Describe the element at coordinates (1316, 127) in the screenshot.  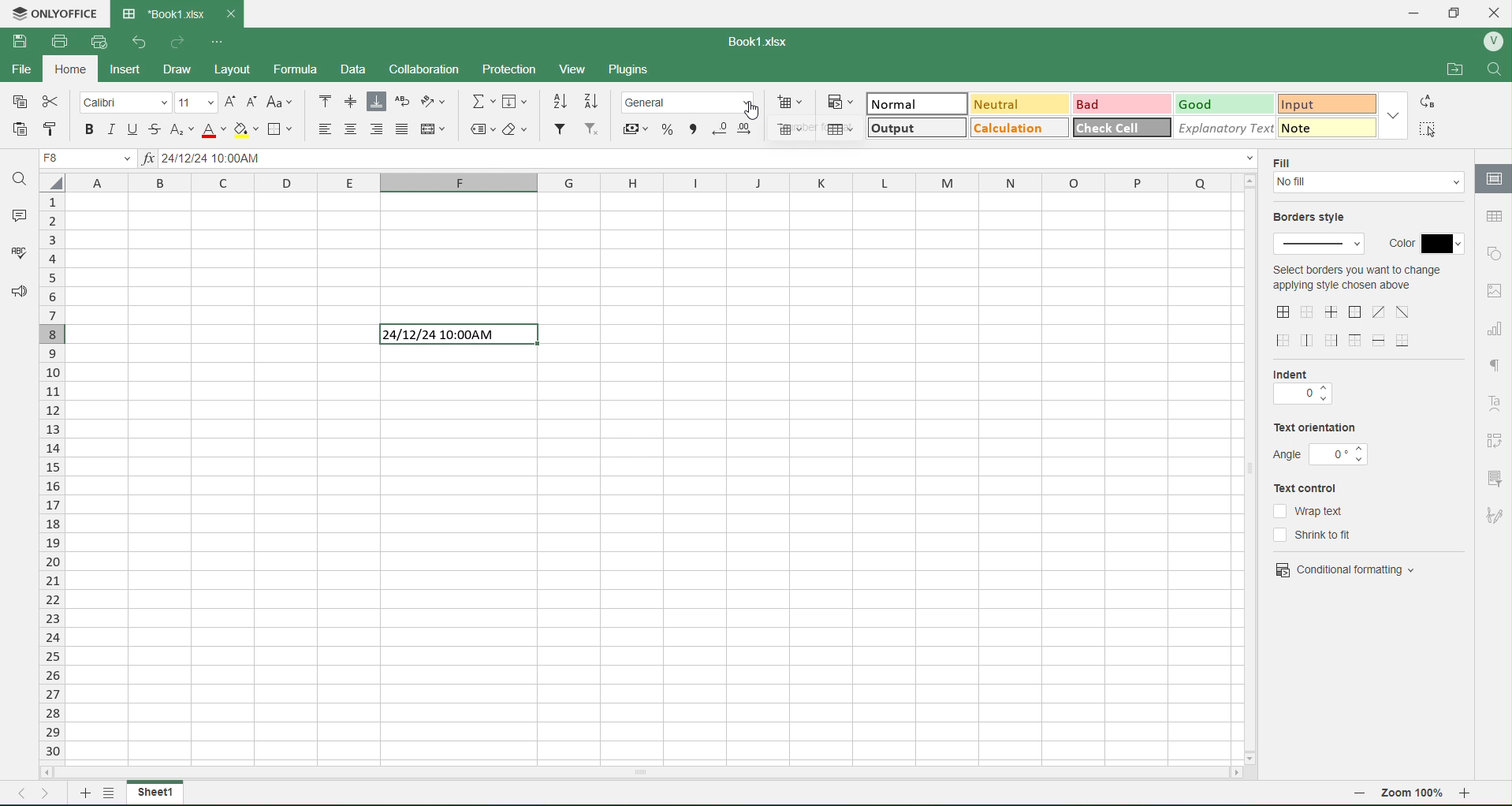
I see `note` at that location.